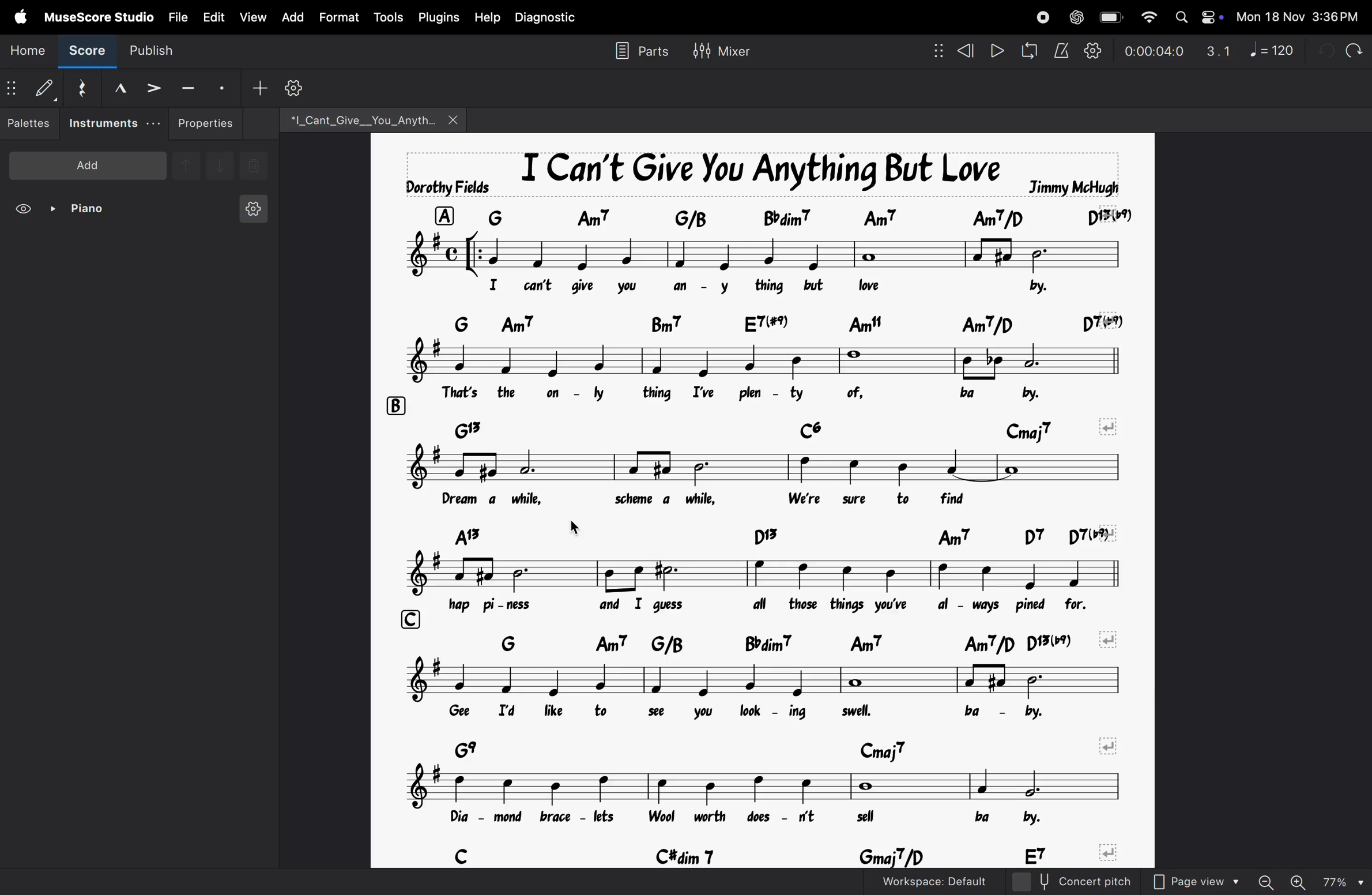  What do you see at coordinates (762, 287) in the screenshot?
I see `lyrics` at bounding box center [762, 287].